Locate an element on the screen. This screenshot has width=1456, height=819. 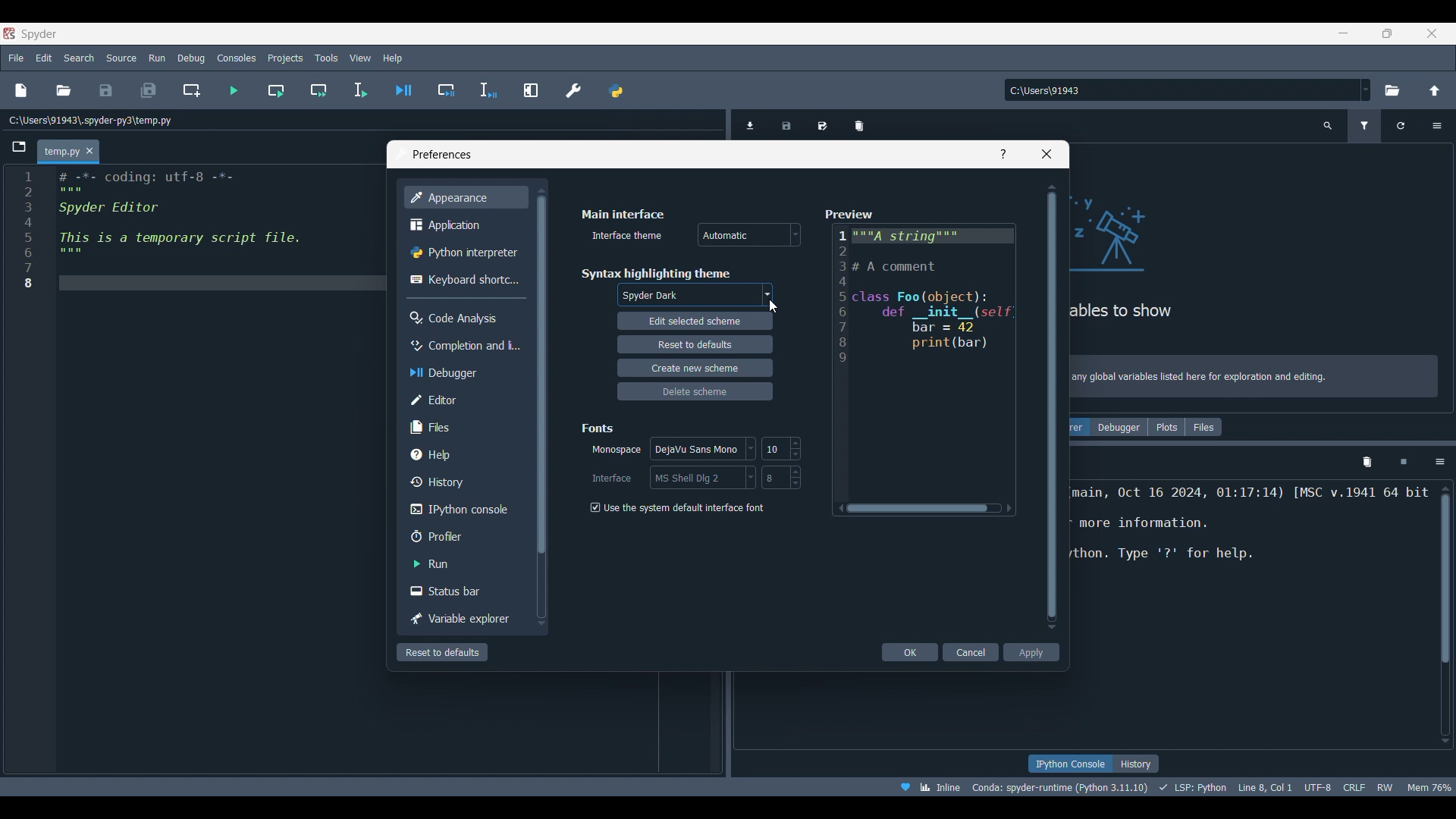
Source menu is located at coordinates (122, 58).